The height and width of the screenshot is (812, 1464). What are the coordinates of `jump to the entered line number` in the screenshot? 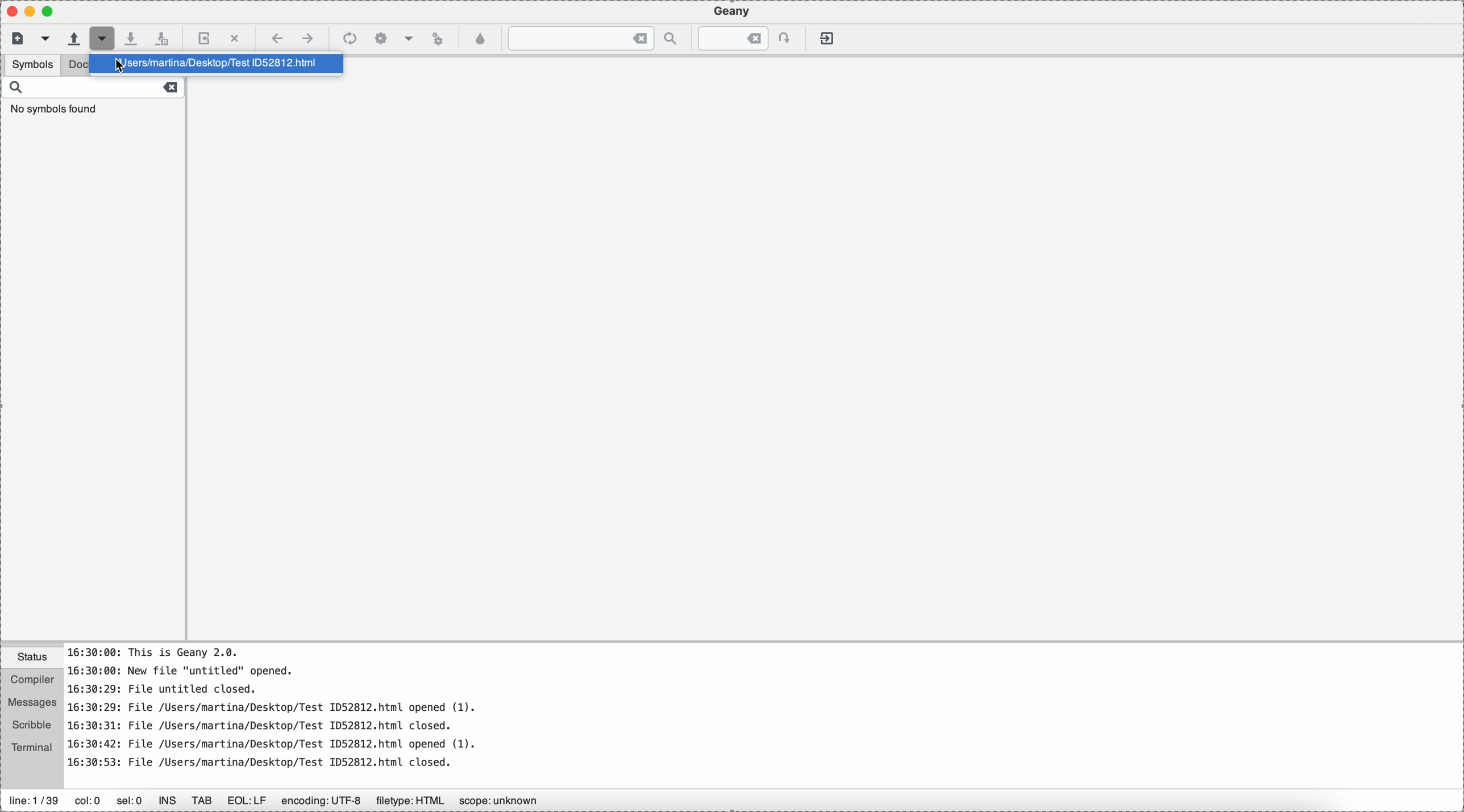 It's located at (740, 38).